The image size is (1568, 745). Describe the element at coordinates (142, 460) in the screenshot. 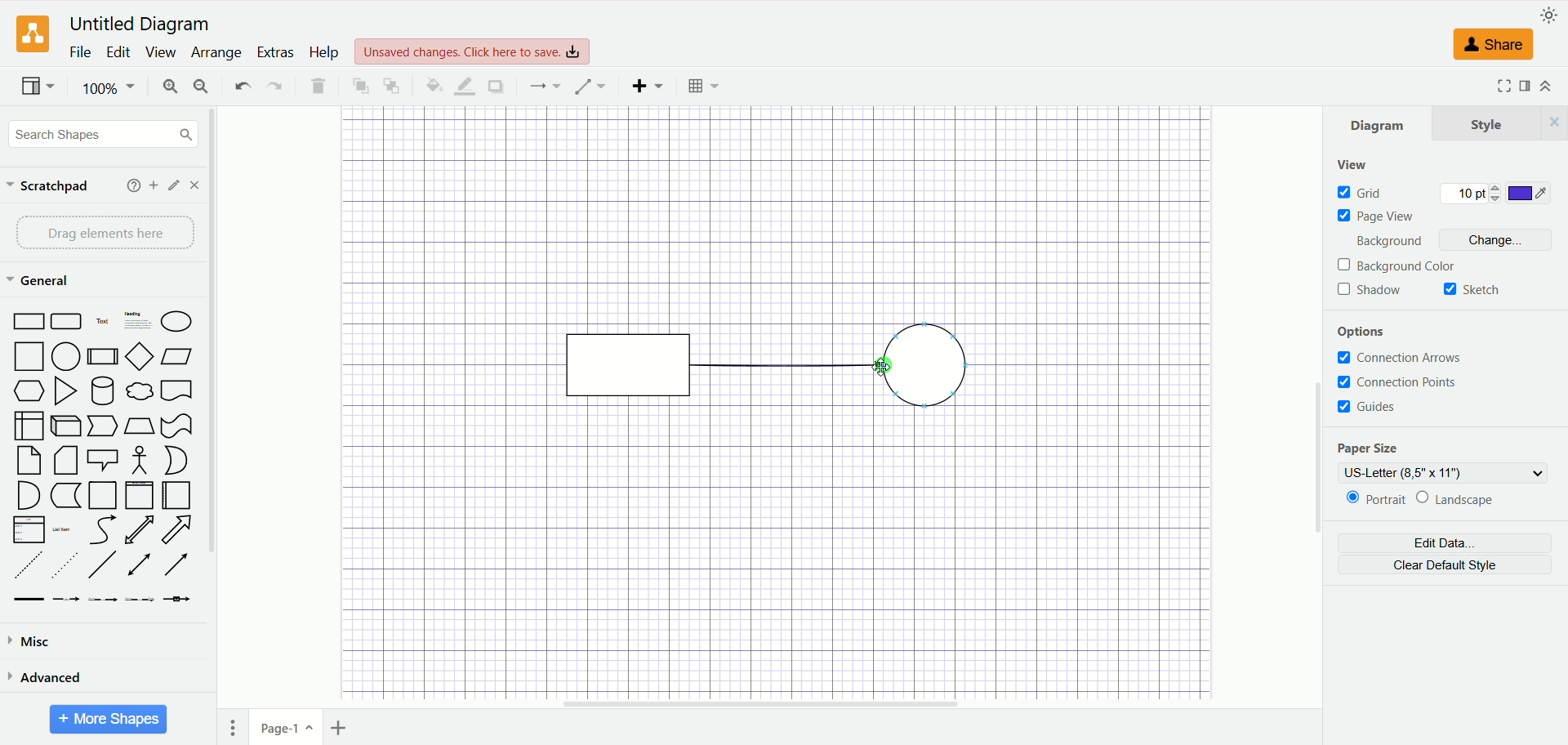

I see `Stick Figure` at that location.